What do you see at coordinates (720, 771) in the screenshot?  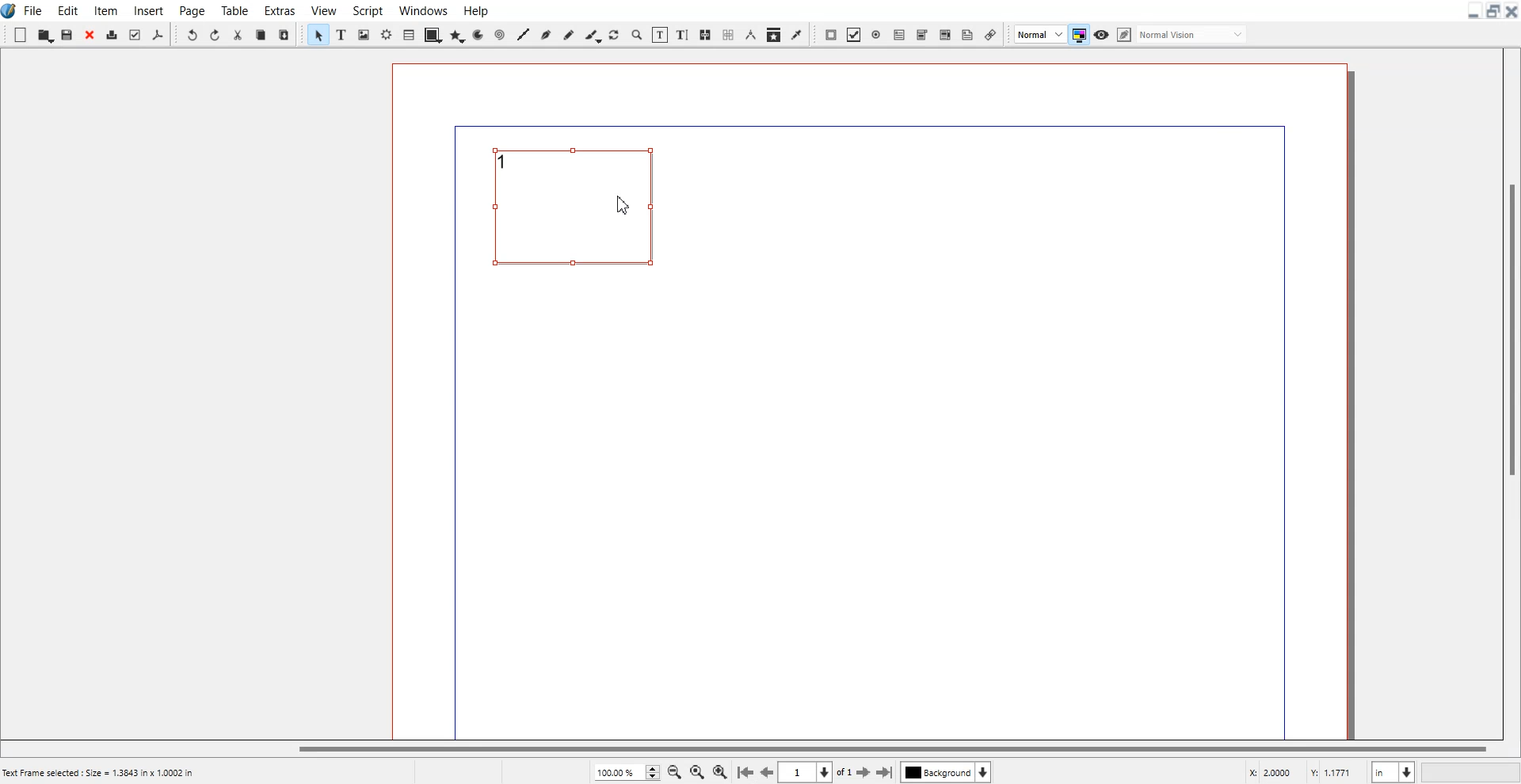 I see `Zoom In` at bounding box center [720, 771].